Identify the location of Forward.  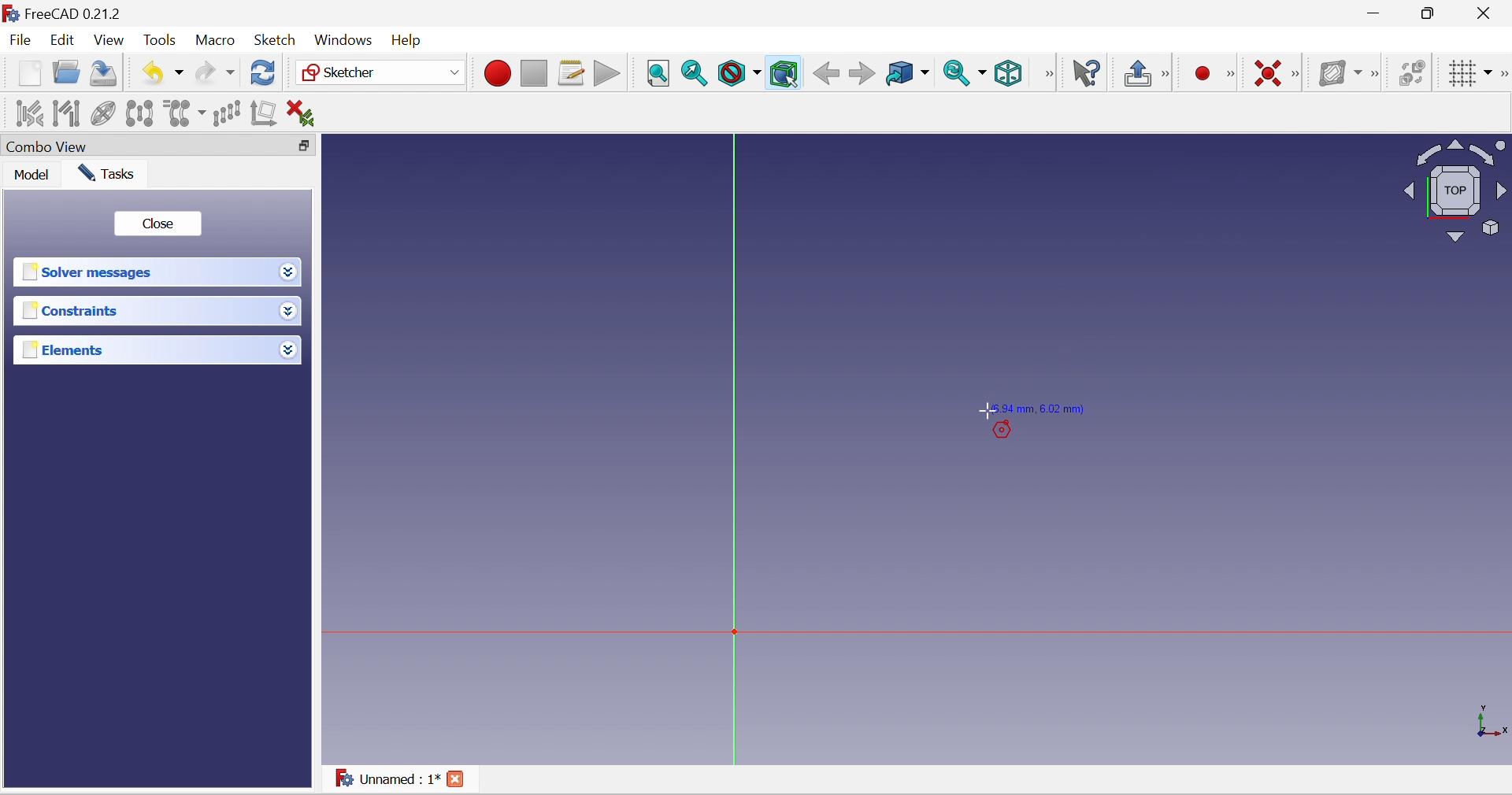
(862, 74).